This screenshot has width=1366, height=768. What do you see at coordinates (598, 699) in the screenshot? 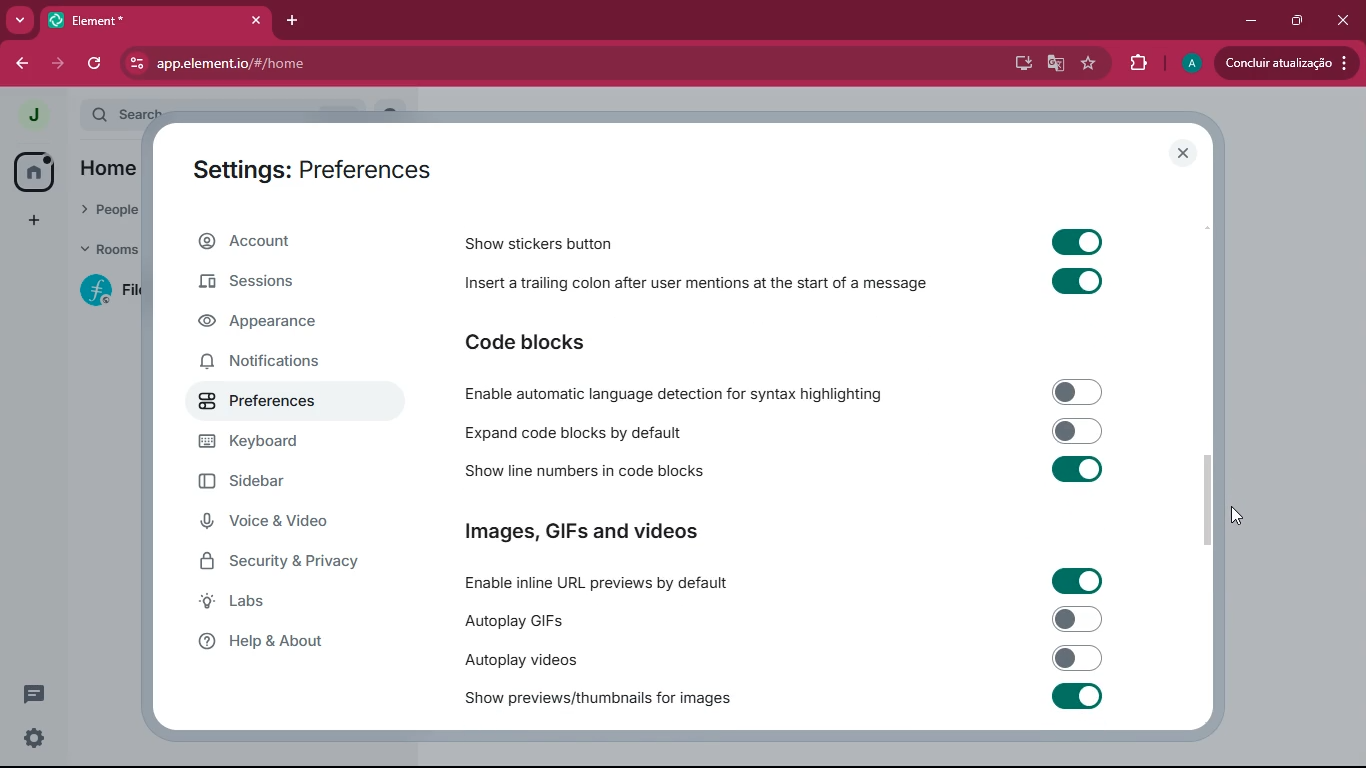
I see `show` at bounding box center [598, 699].